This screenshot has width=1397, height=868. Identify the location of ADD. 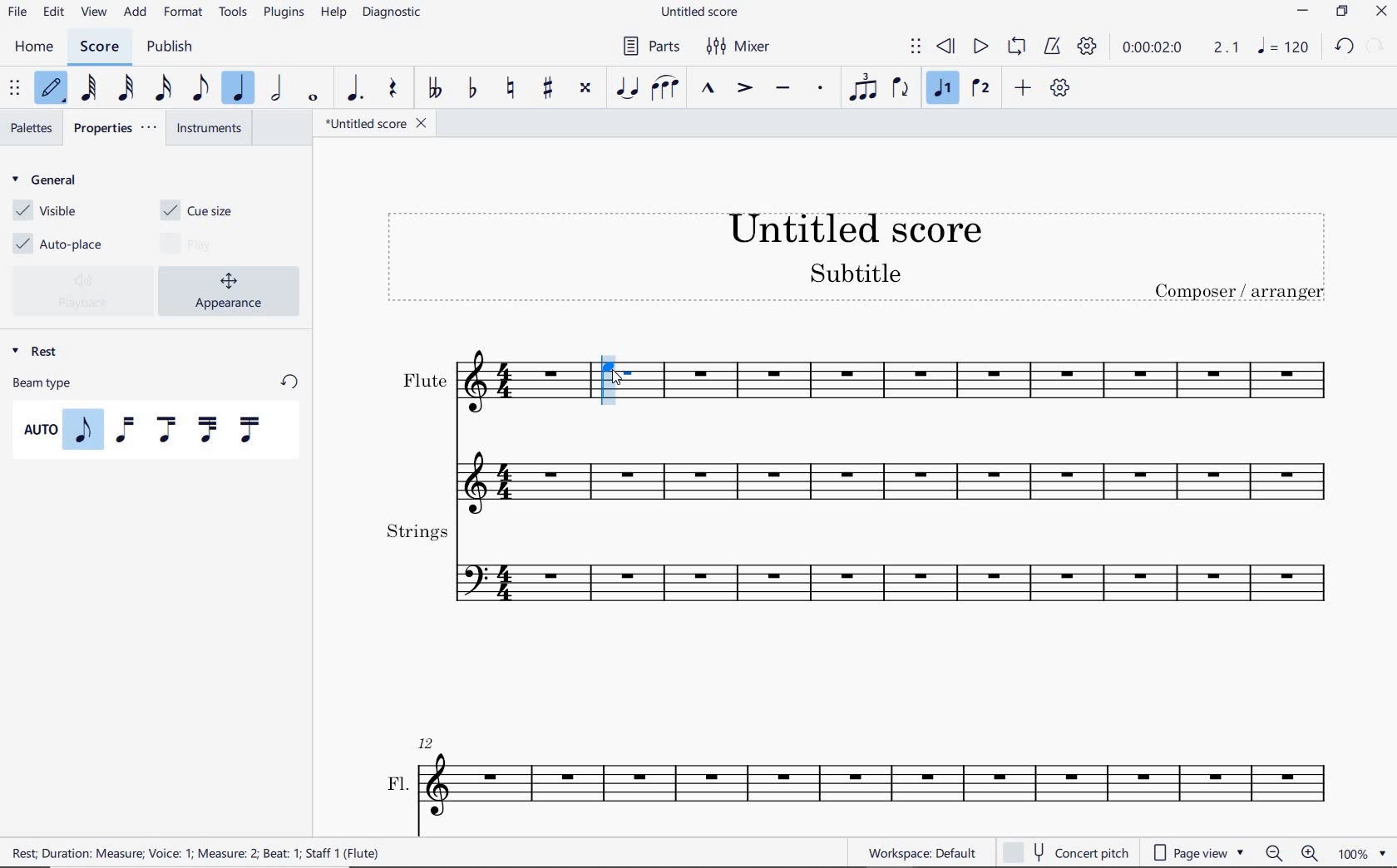
(1025, 87).